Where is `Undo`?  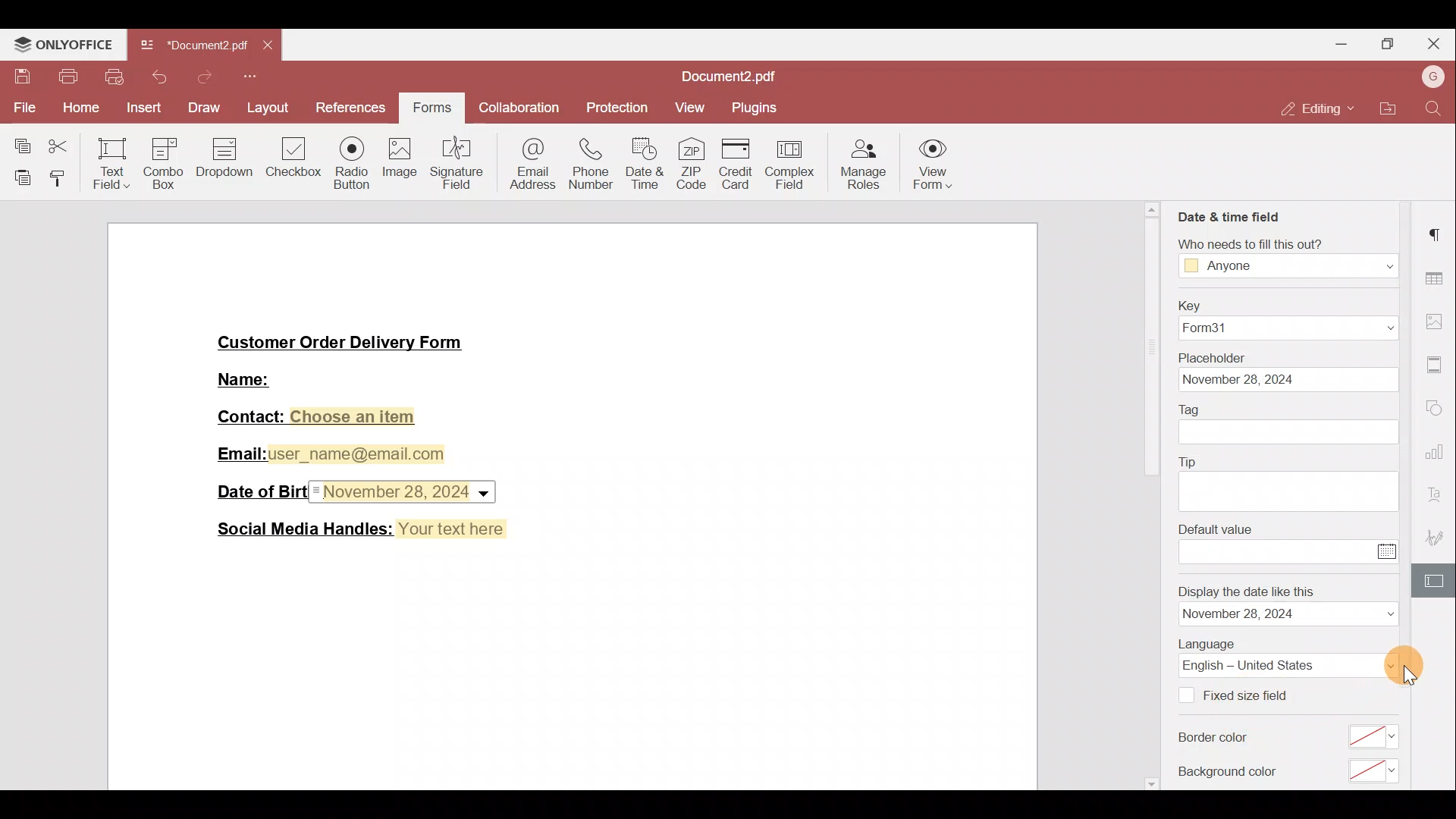 Undo is located at coordinates (157, 77).